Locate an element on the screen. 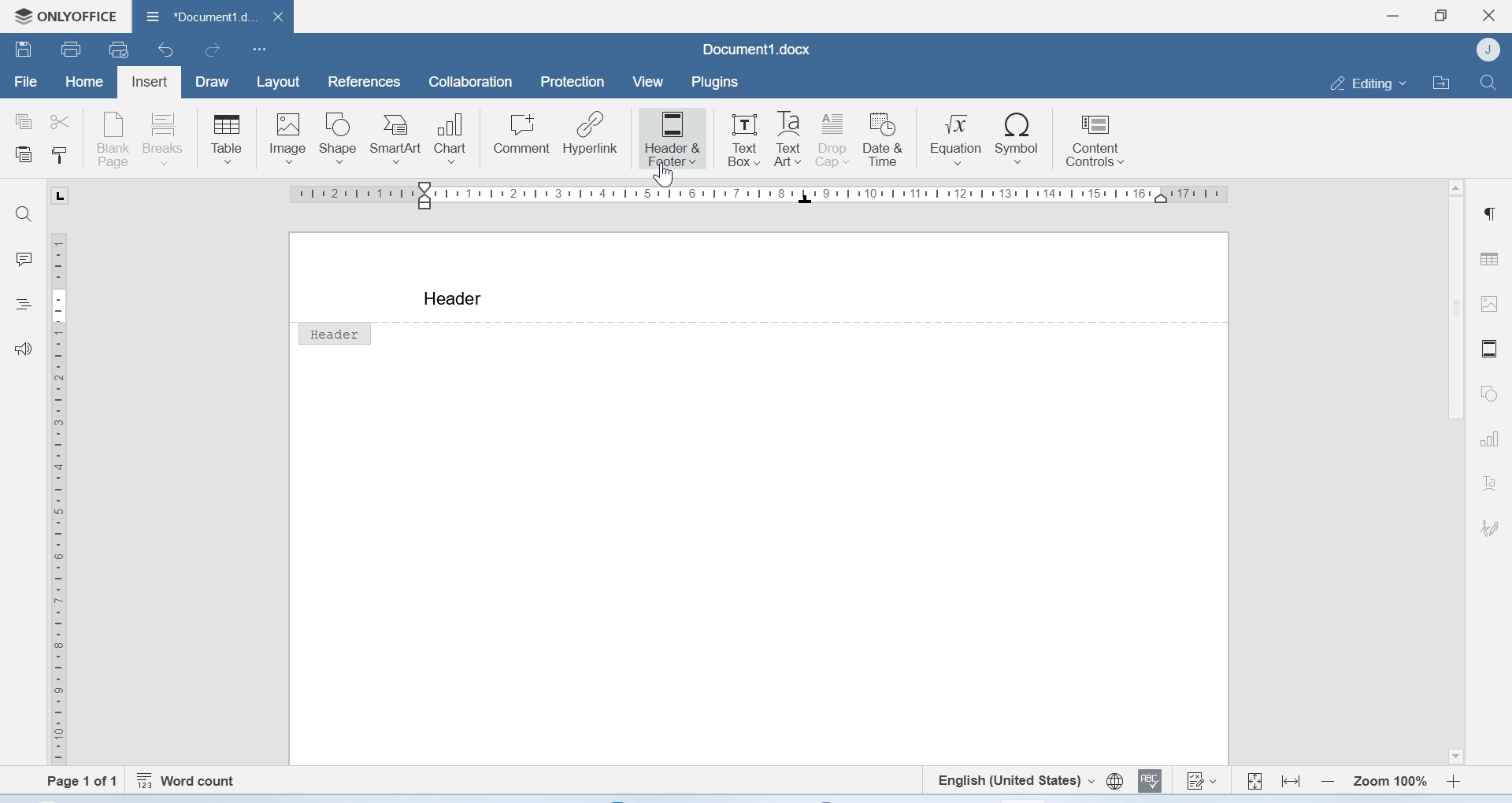  Track changes is located at coordinates (1203, 783).